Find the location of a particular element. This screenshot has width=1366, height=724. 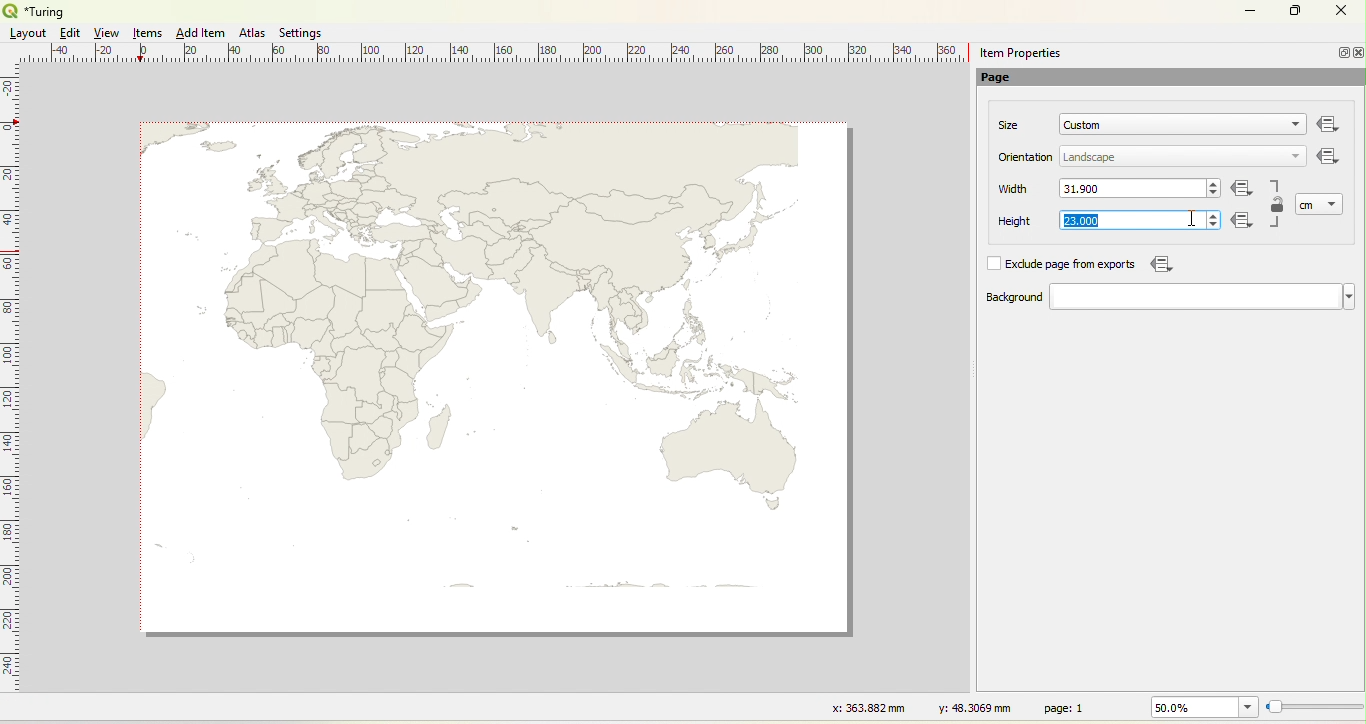

map is located at coordinates (499, 379).